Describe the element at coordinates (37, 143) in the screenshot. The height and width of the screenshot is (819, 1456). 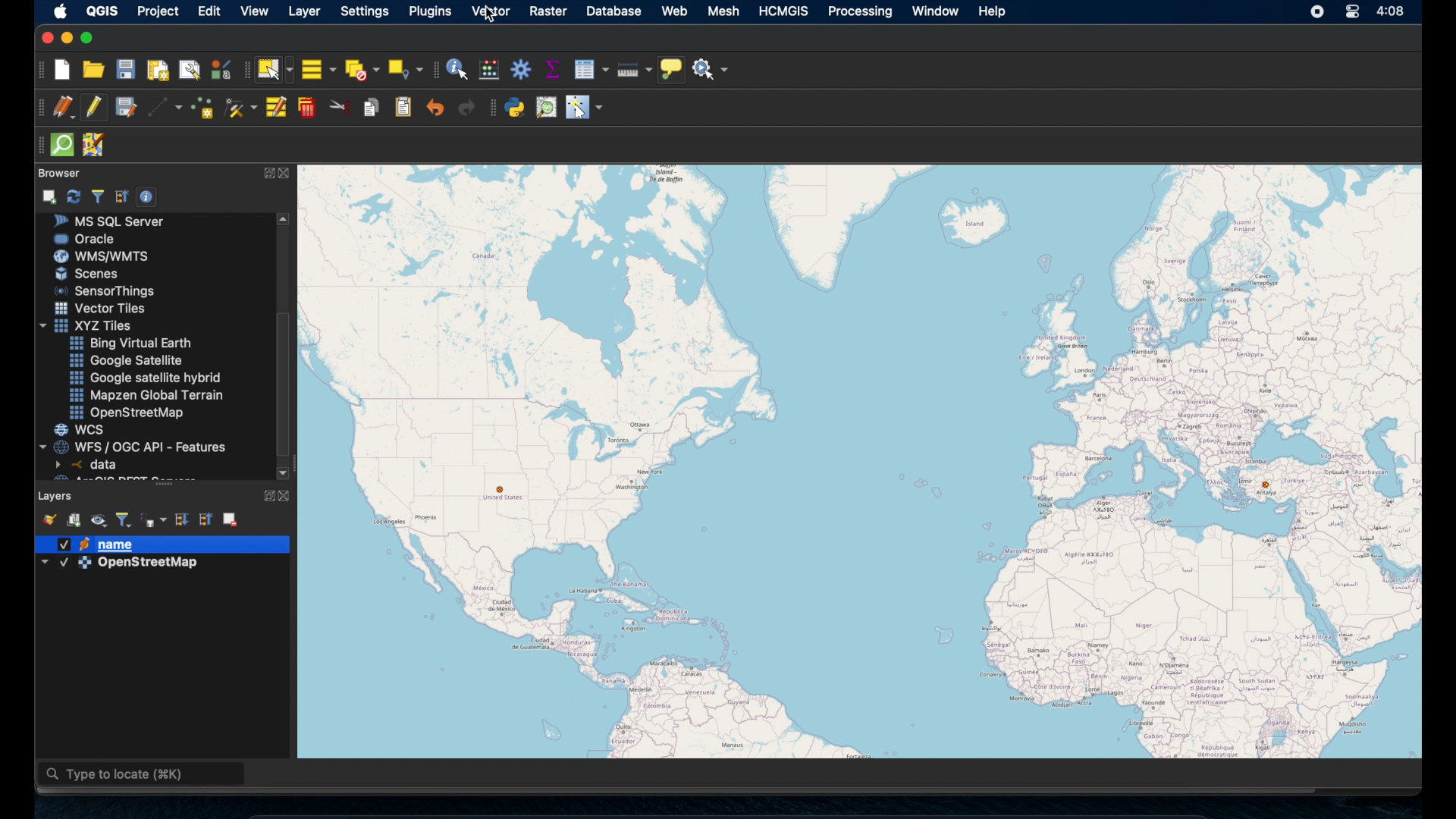
I see `drag handles` at that location.